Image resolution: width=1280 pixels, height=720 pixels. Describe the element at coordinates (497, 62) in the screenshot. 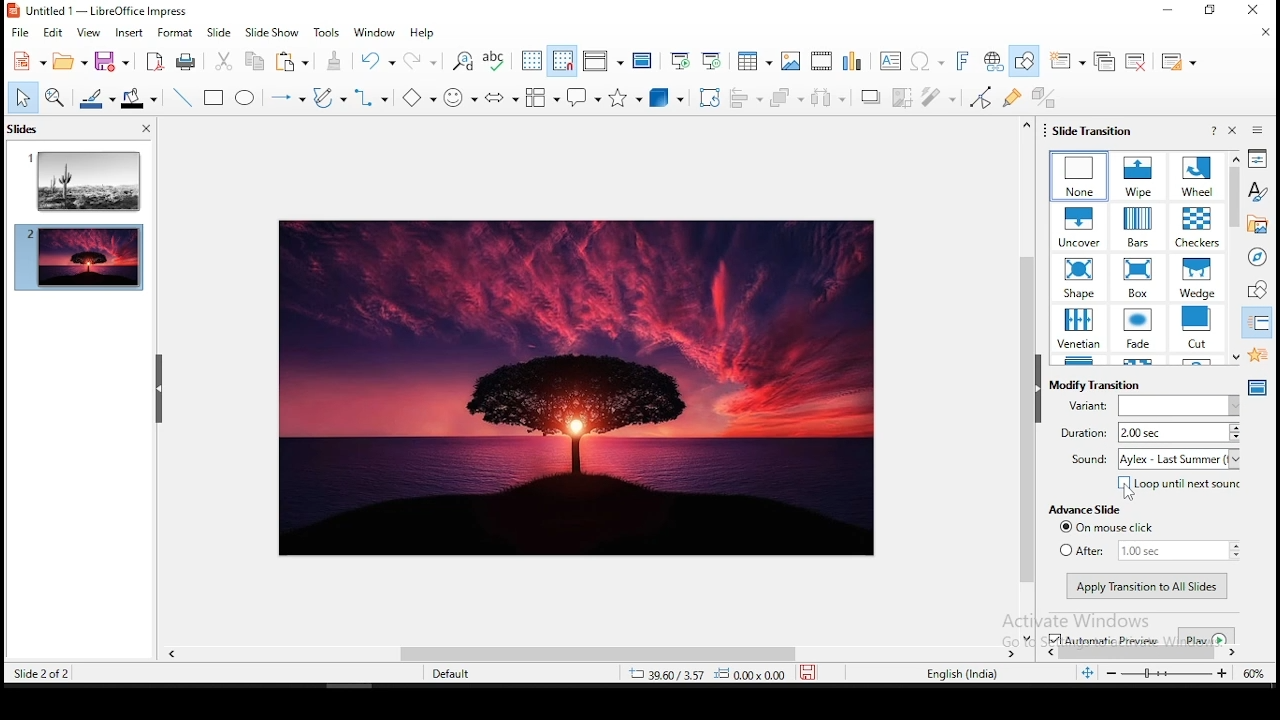

I see `spell check` at that location.